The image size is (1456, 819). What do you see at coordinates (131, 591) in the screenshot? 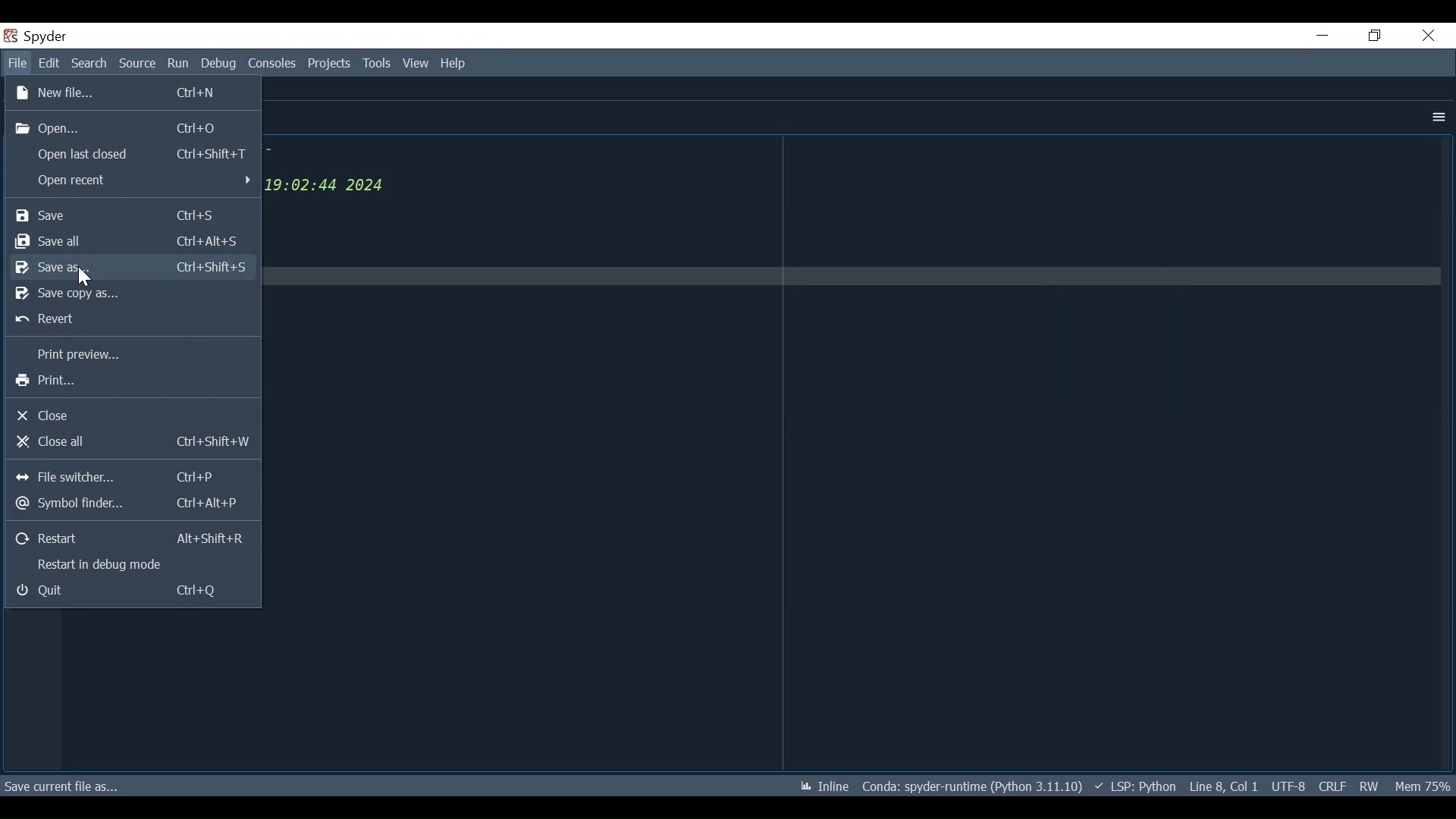
I see `Quit` at bounding box center [131, 591].